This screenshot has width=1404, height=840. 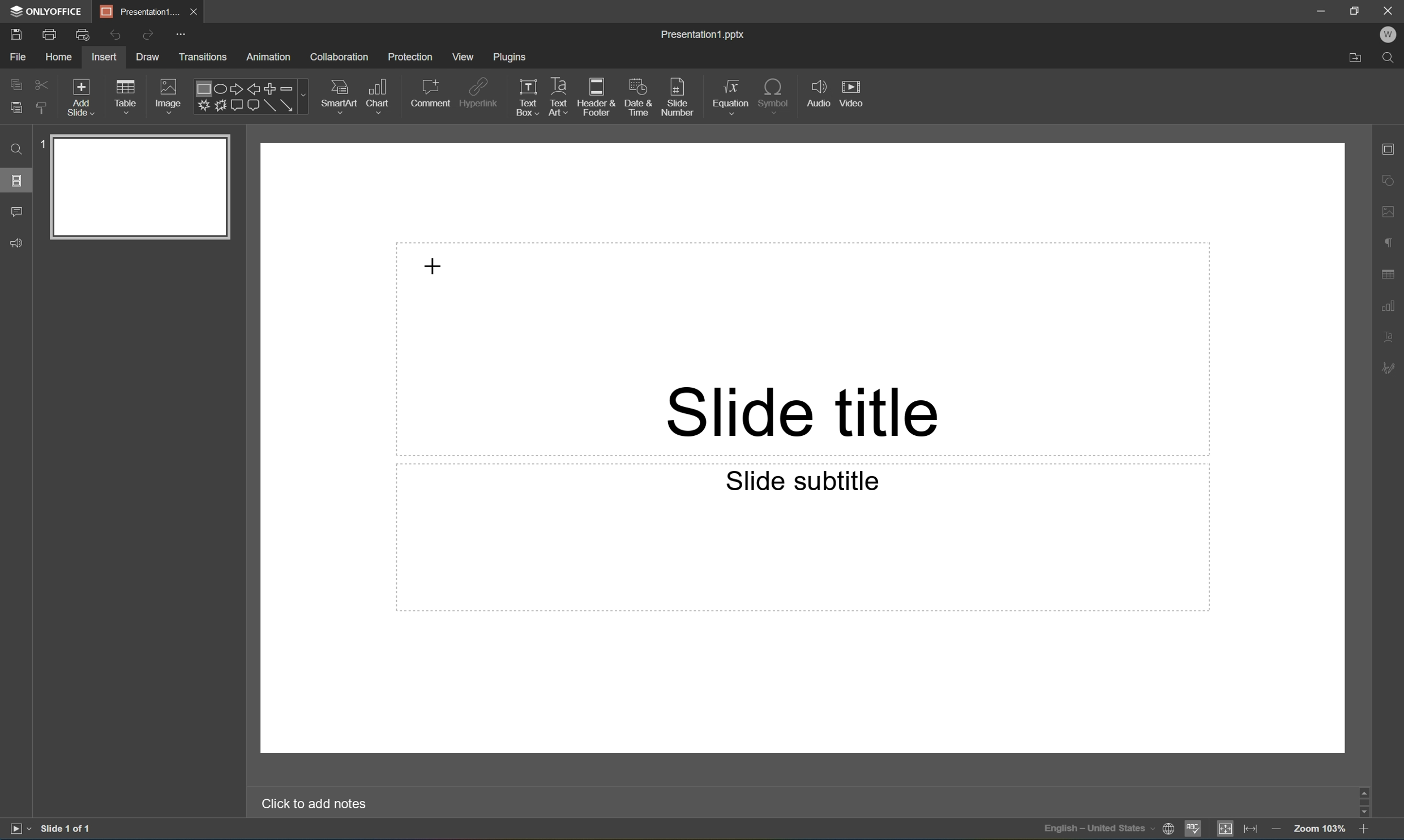 I want to click on Print file, so click(x=52, y=33).